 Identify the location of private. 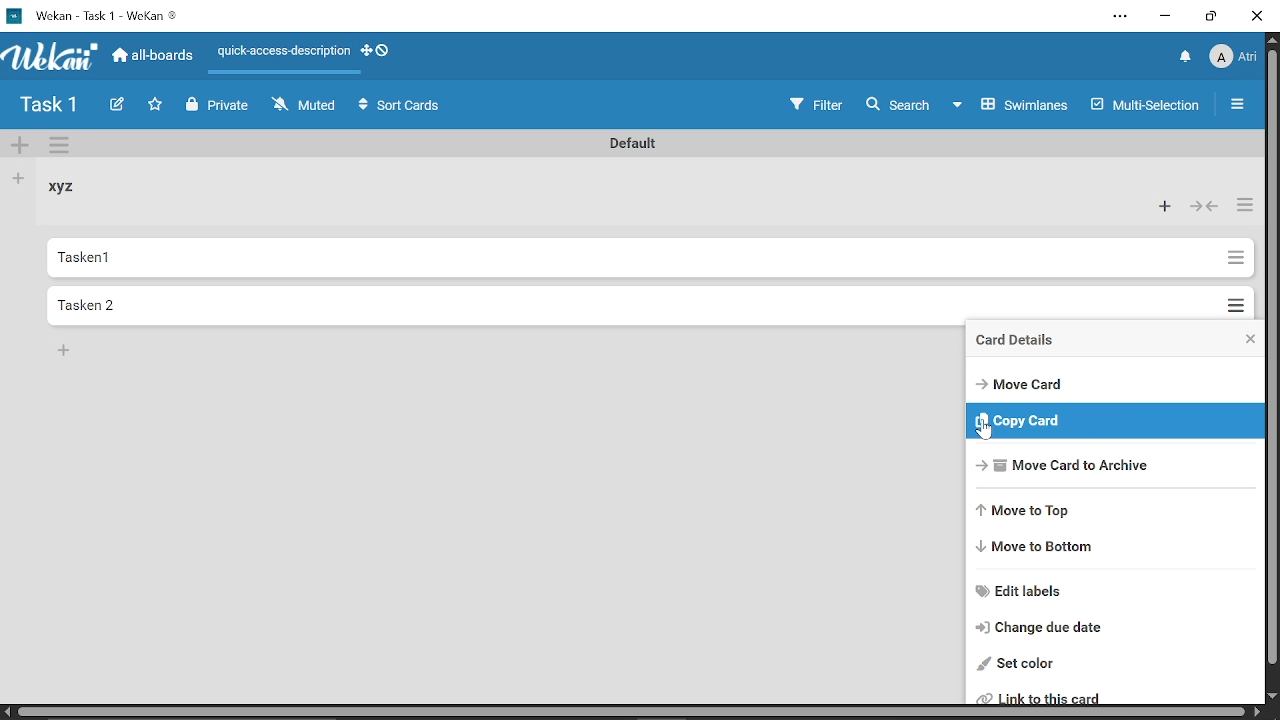
(222, 107).